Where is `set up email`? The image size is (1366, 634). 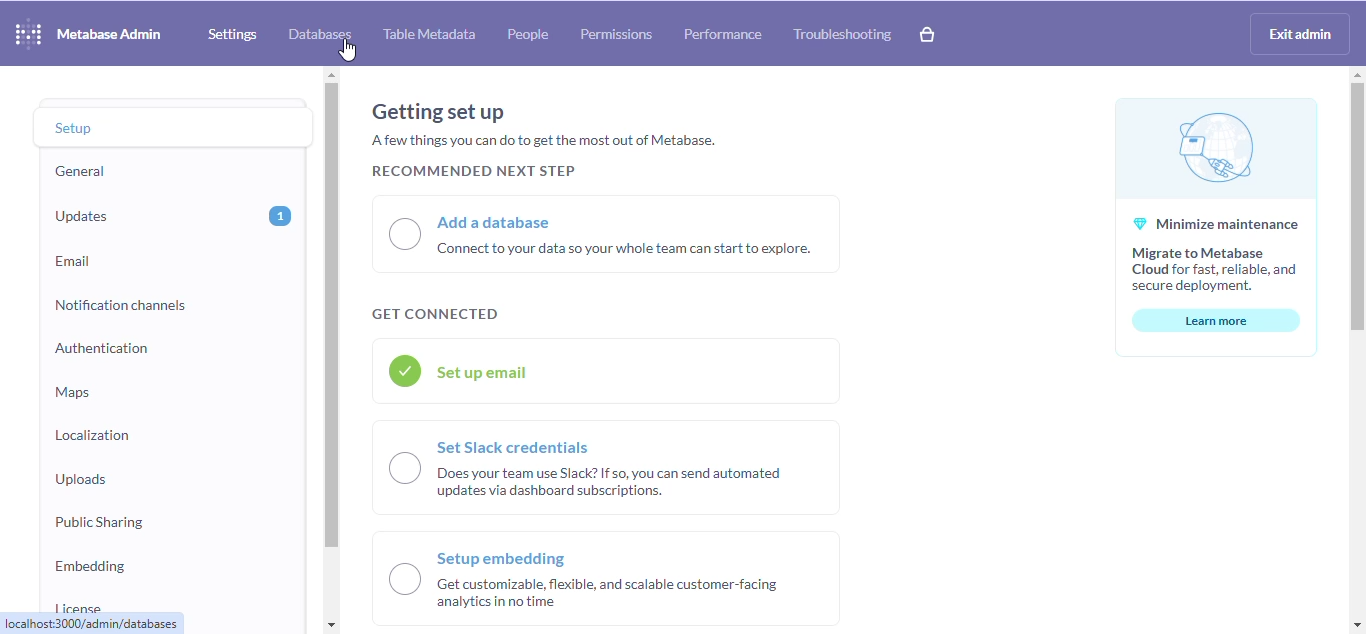 set up email is located at coordinates (605, 371).